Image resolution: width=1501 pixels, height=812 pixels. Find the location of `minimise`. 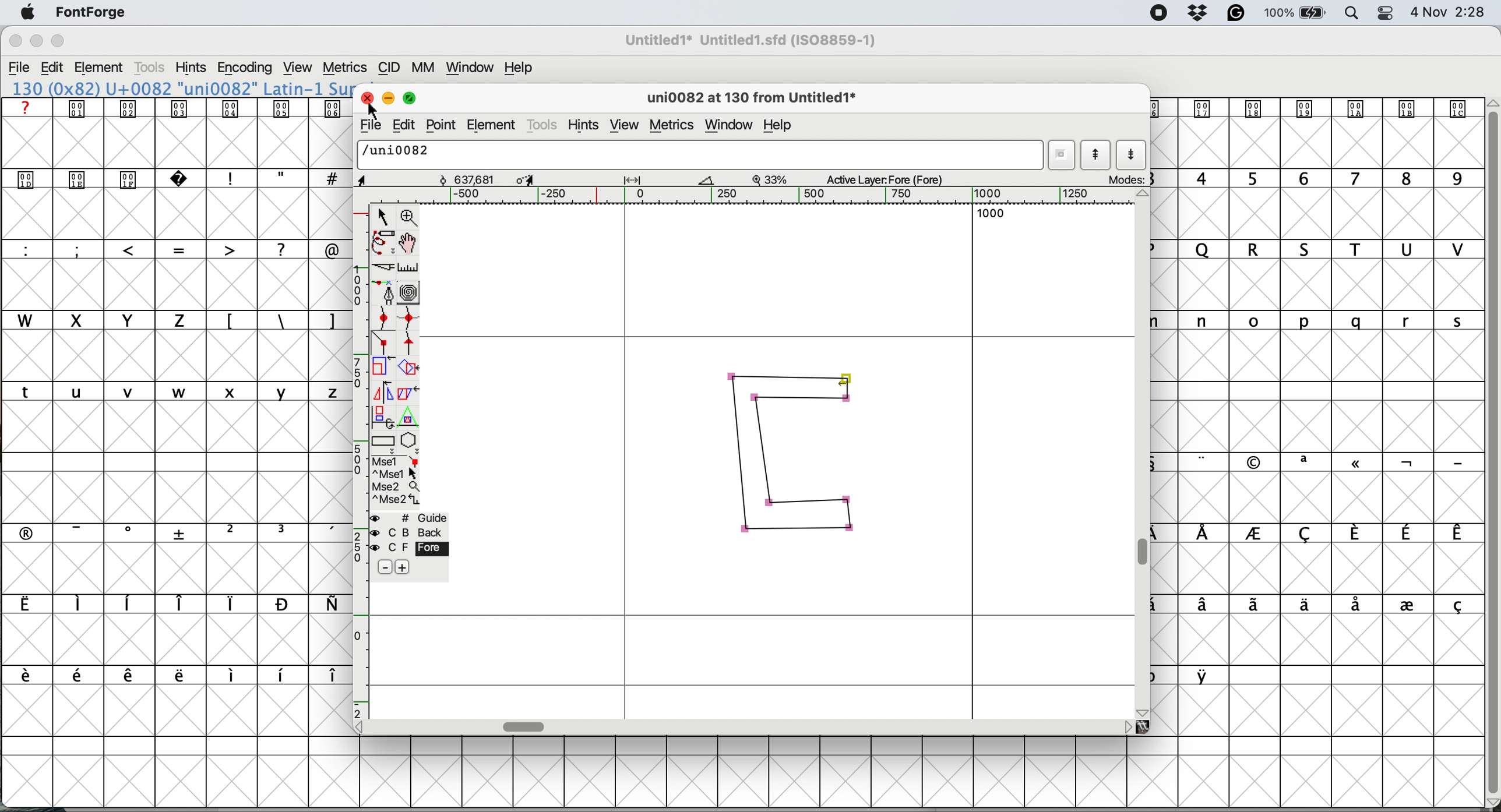

minimise is located at coordinates (36, 41).